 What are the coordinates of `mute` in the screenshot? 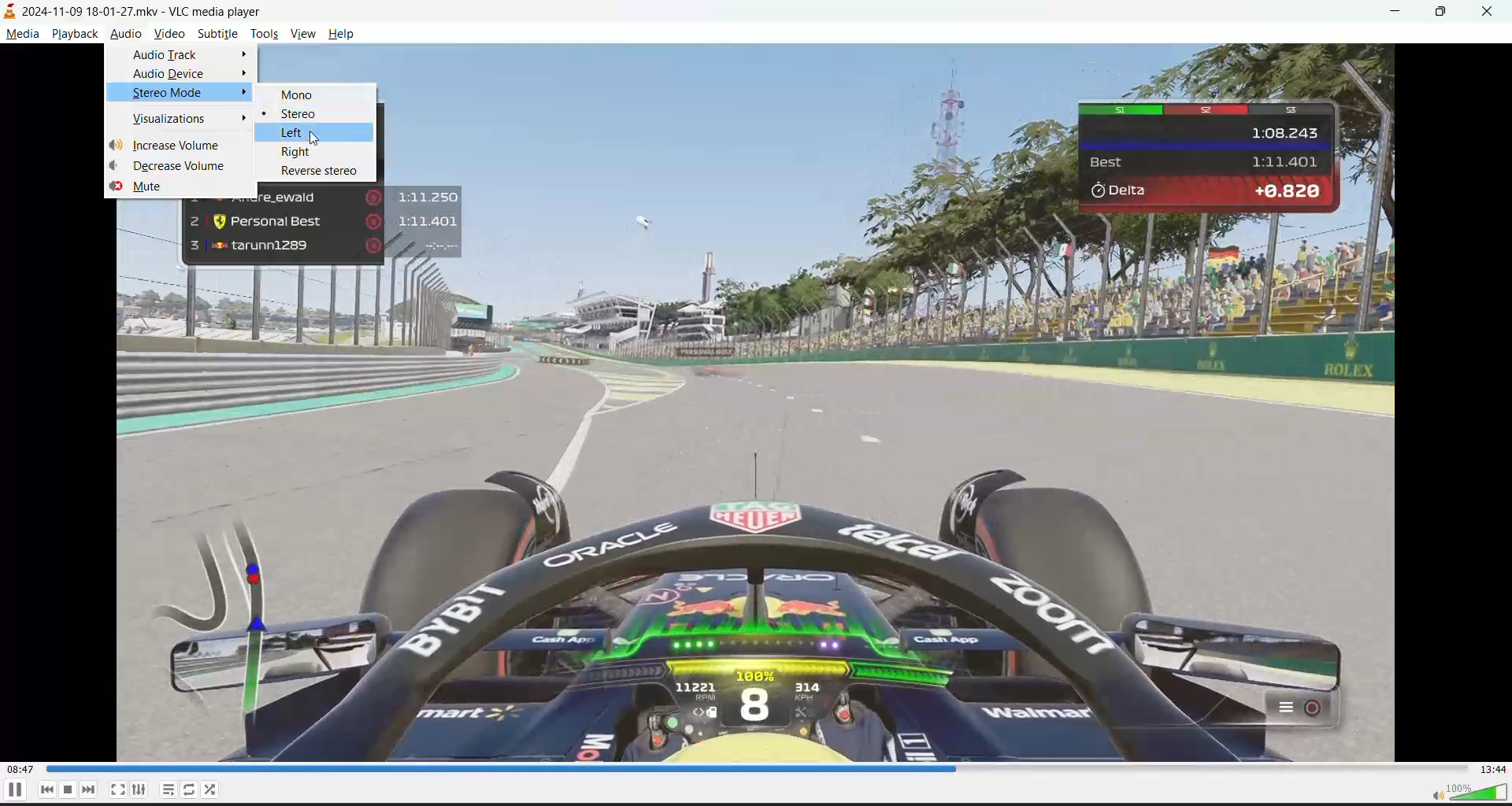 It's located at (151, 185).